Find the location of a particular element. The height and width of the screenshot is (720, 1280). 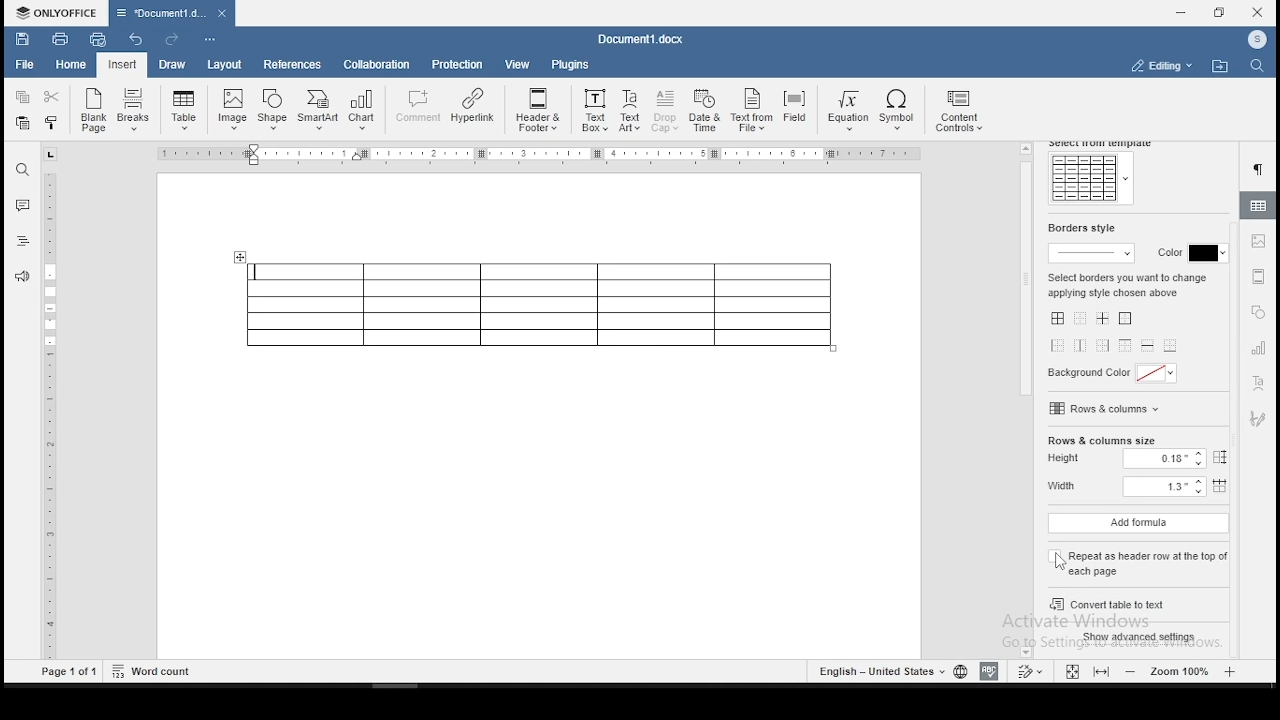

cursor is located at coordinates (1061, 562).